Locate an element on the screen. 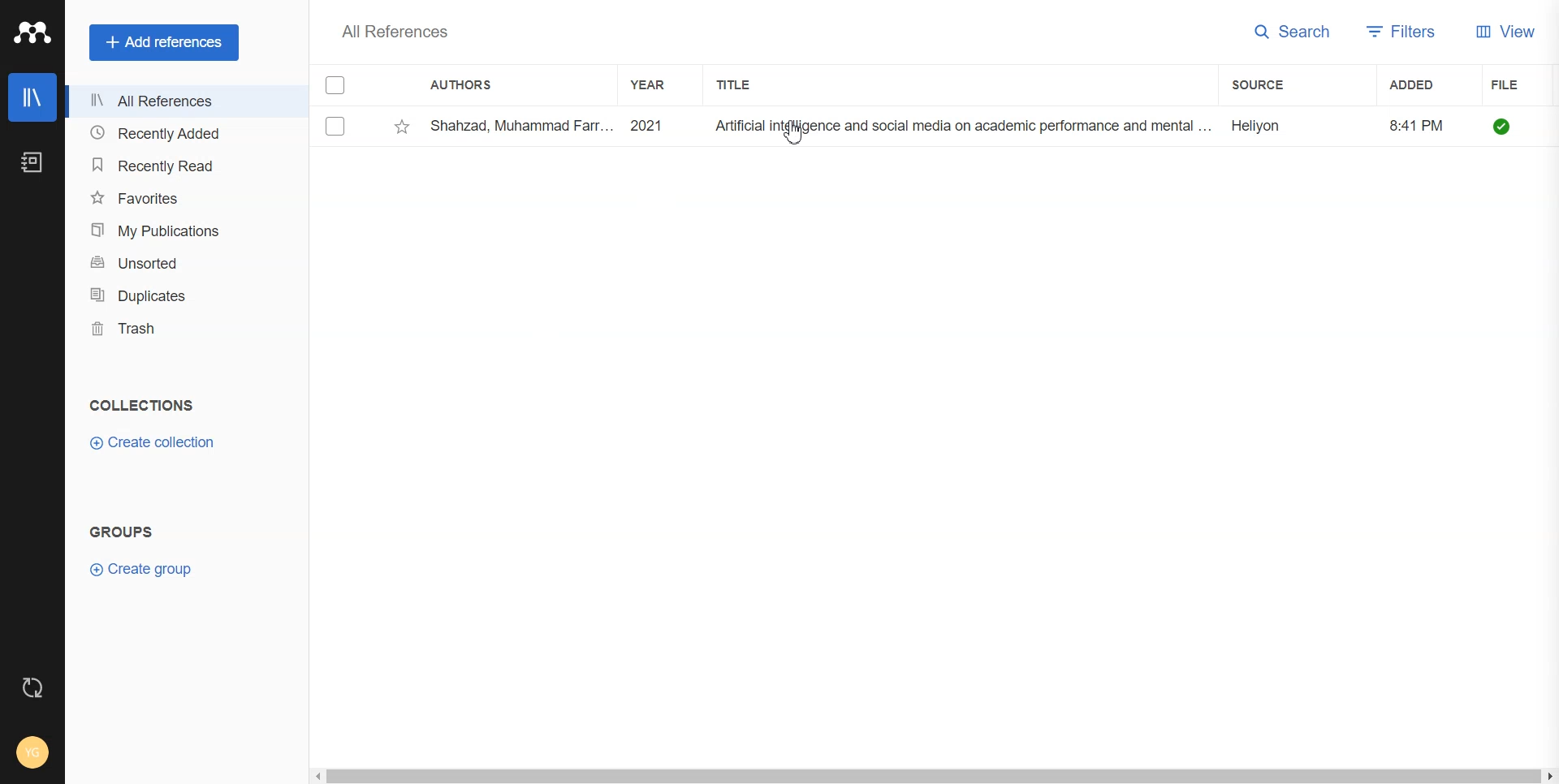  Years is located at coordinates (654, 84).